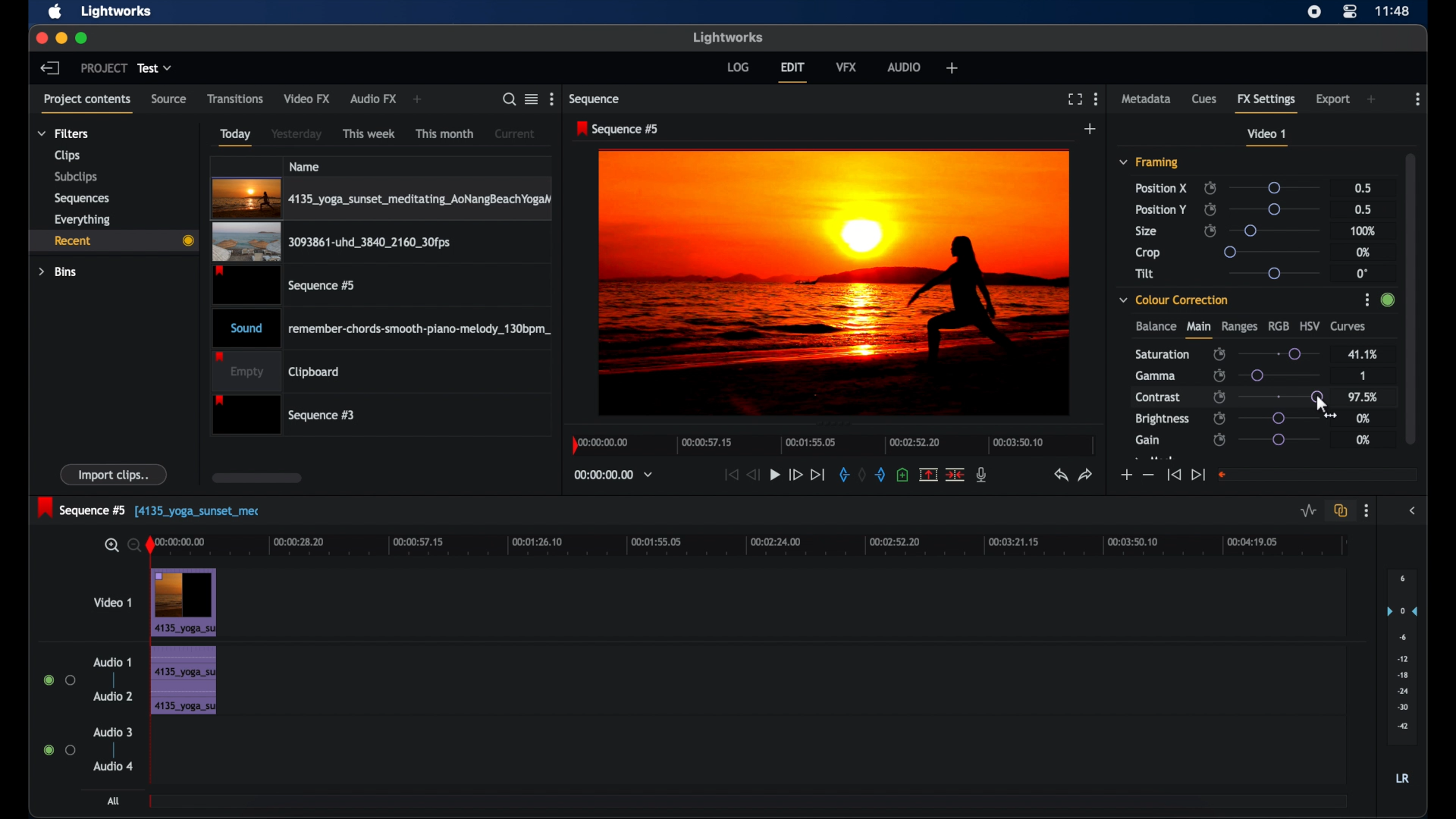 The width and height of the screenshot is (1456, 819). I want to click on transitions, so click(235, 98).